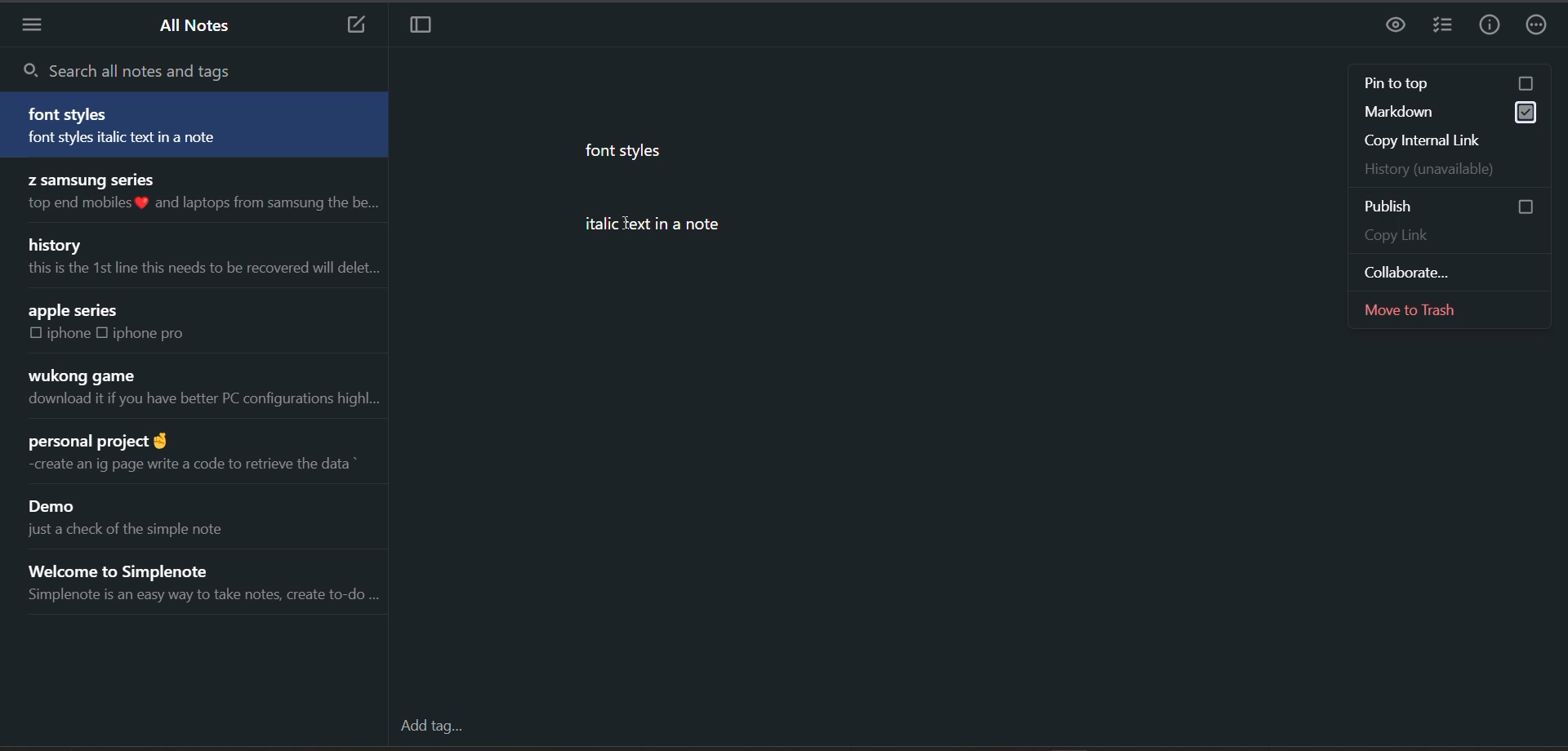 The image size is (1568, 751). Describe the element at coordinates (201, 195) in the screenshot. I see `note title and preview` at that location.